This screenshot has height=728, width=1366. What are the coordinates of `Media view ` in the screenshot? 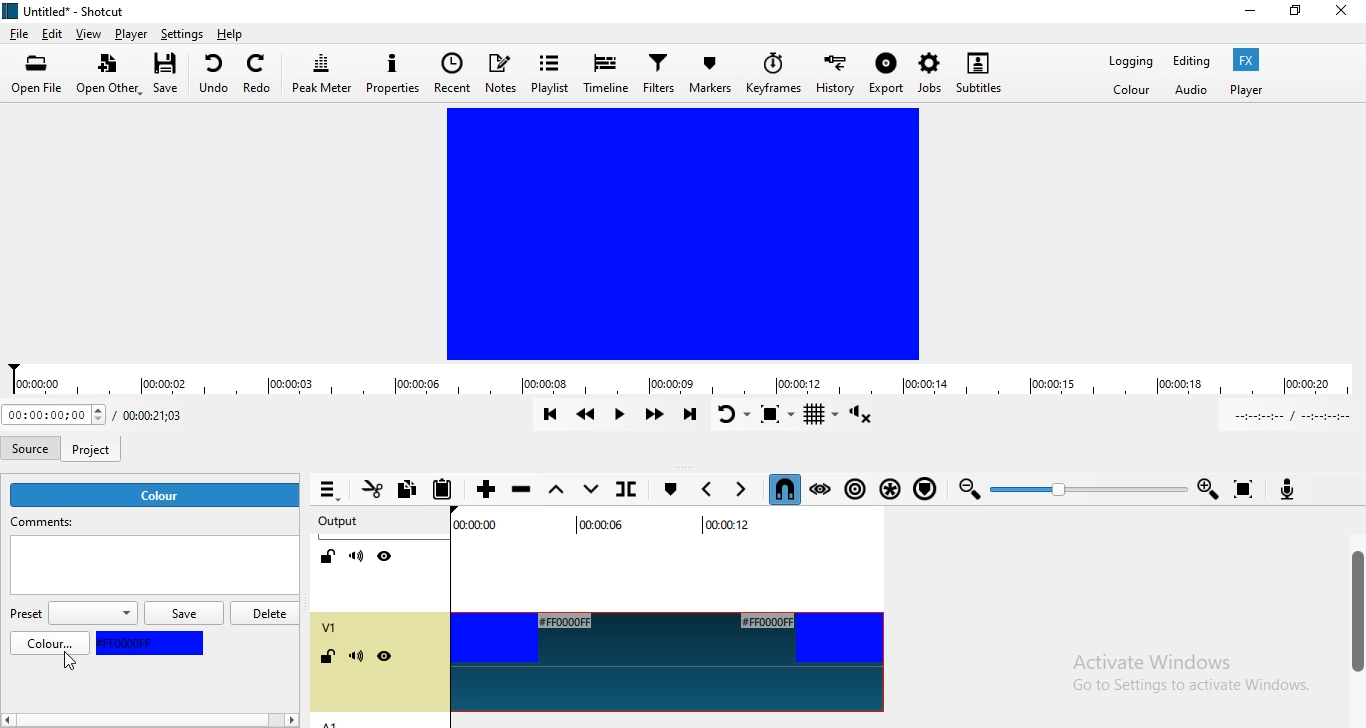 It's located at (680, 234).